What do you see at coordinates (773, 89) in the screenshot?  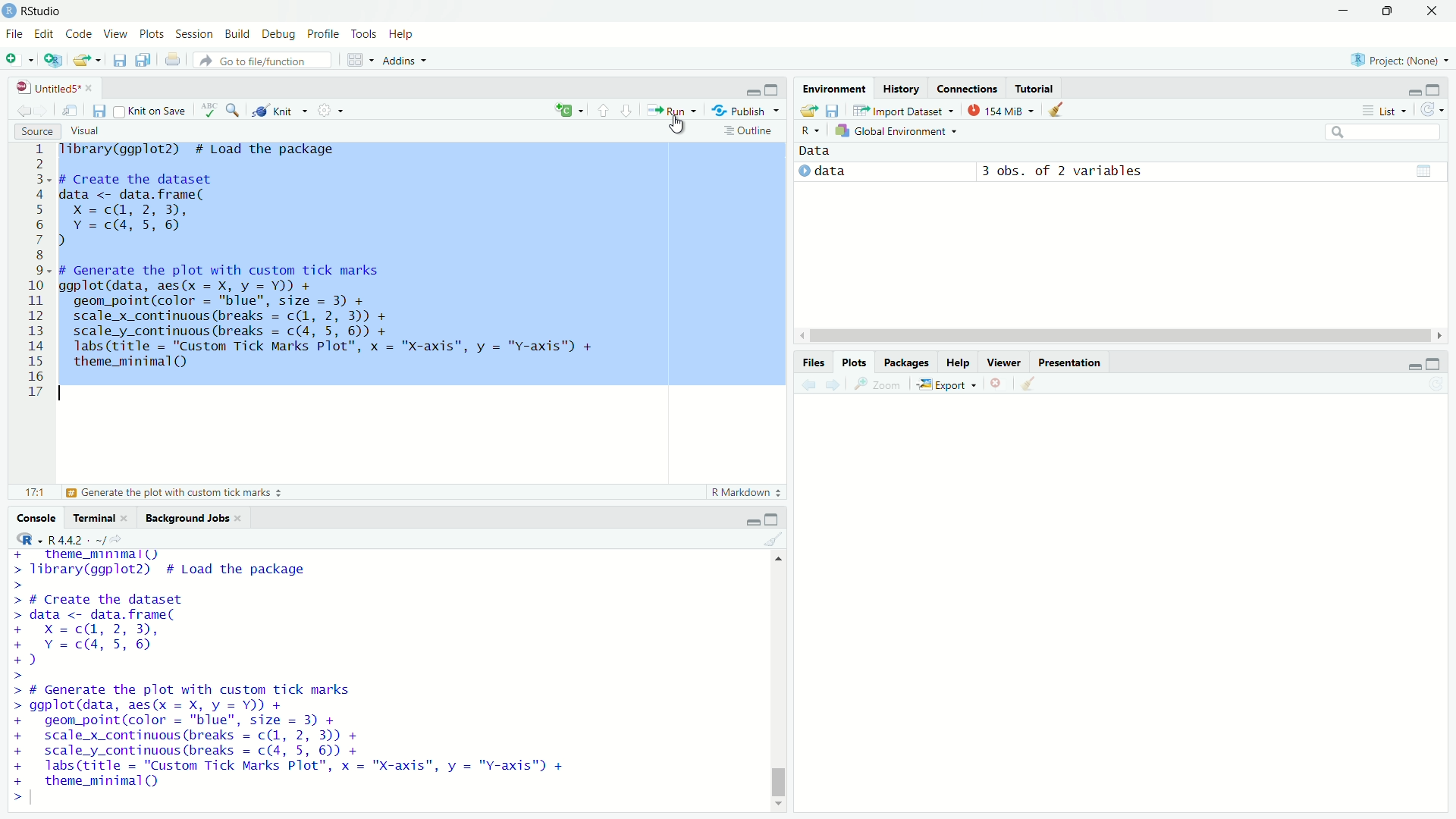 I see `maximize` at bounding box center [773, 89].